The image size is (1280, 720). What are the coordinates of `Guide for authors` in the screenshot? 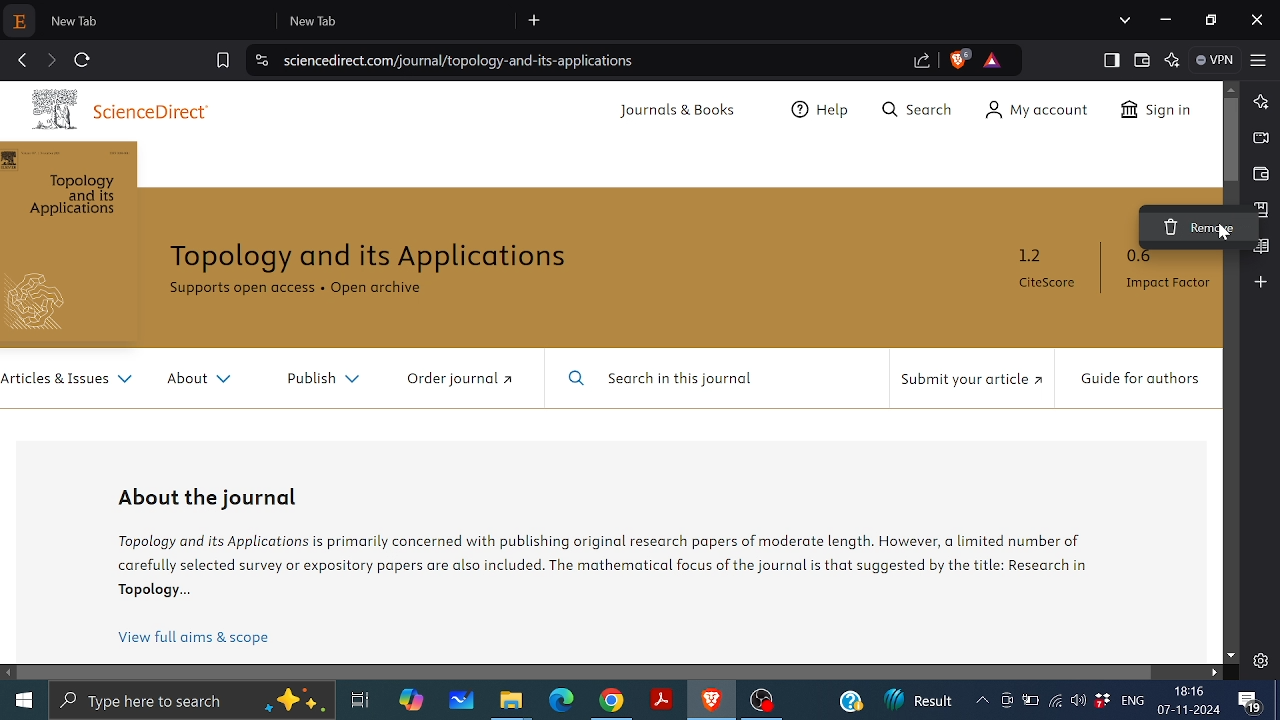 It's located at (1137, 379).